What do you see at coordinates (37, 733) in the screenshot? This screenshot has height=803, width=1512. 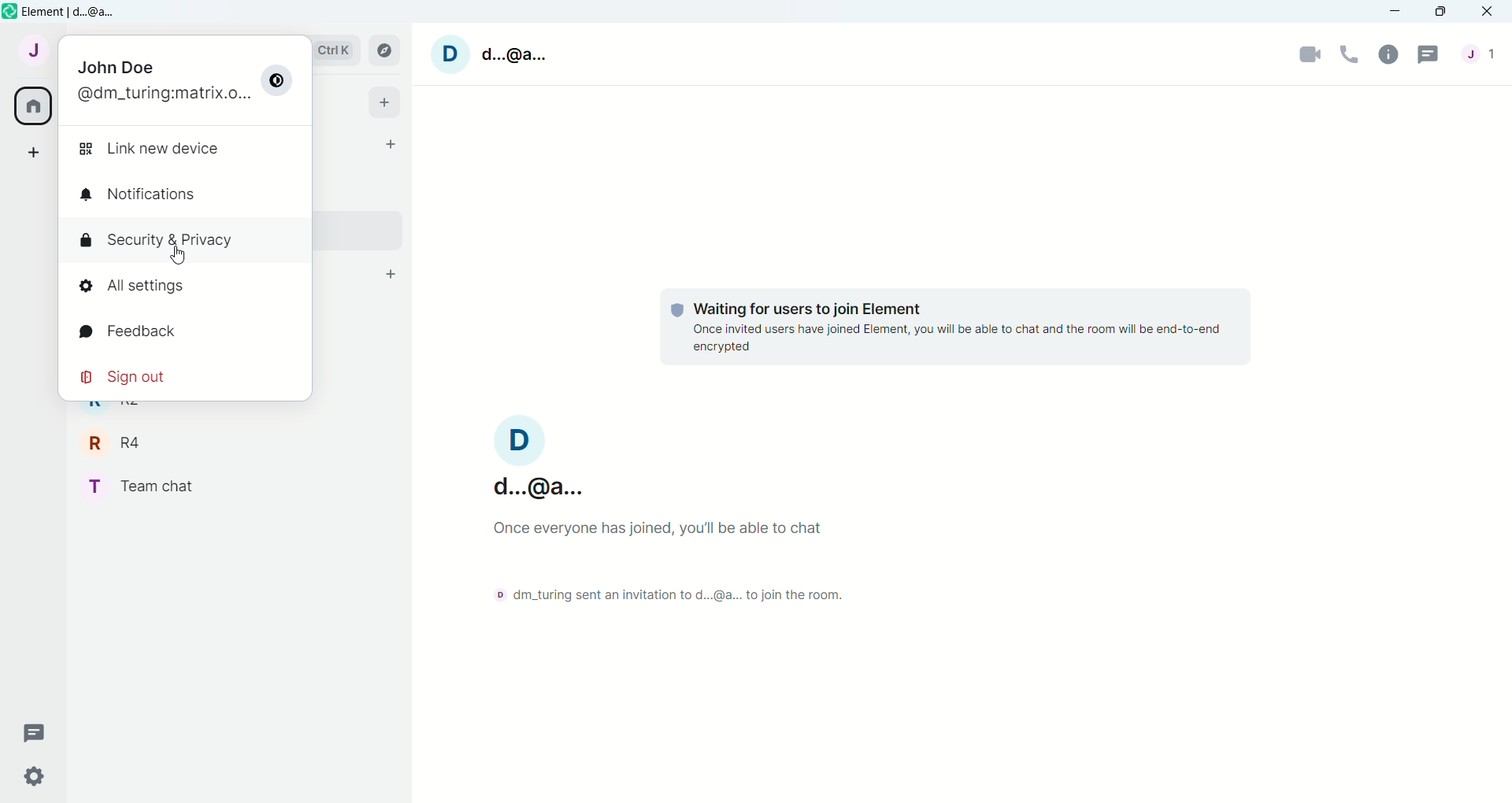 I see `thread` at bounding box center [37, 733].